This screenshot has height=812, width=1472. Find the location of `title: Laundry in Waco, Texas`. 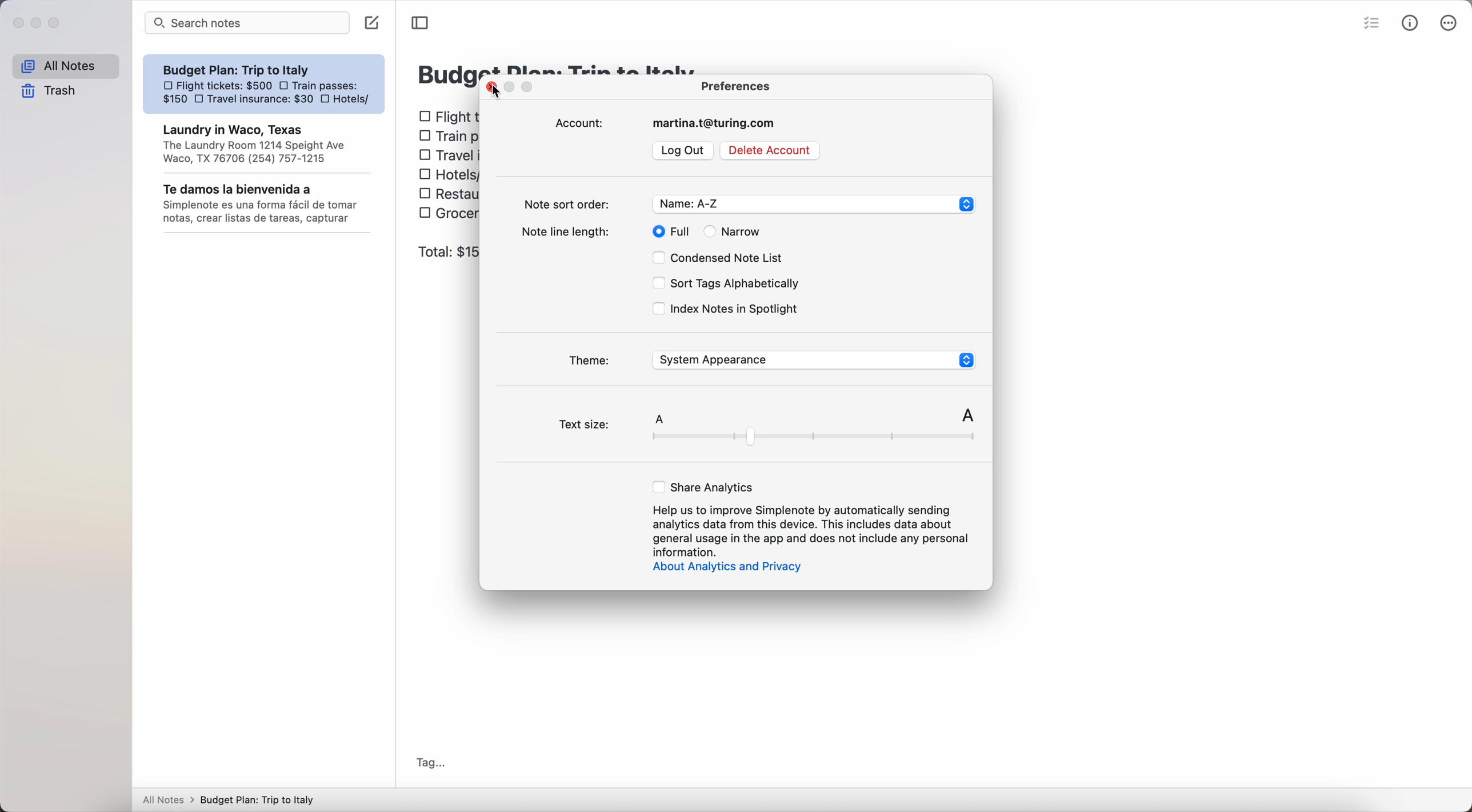

title: Laundry in Waco, Texas is located at coordinates (445, 71).